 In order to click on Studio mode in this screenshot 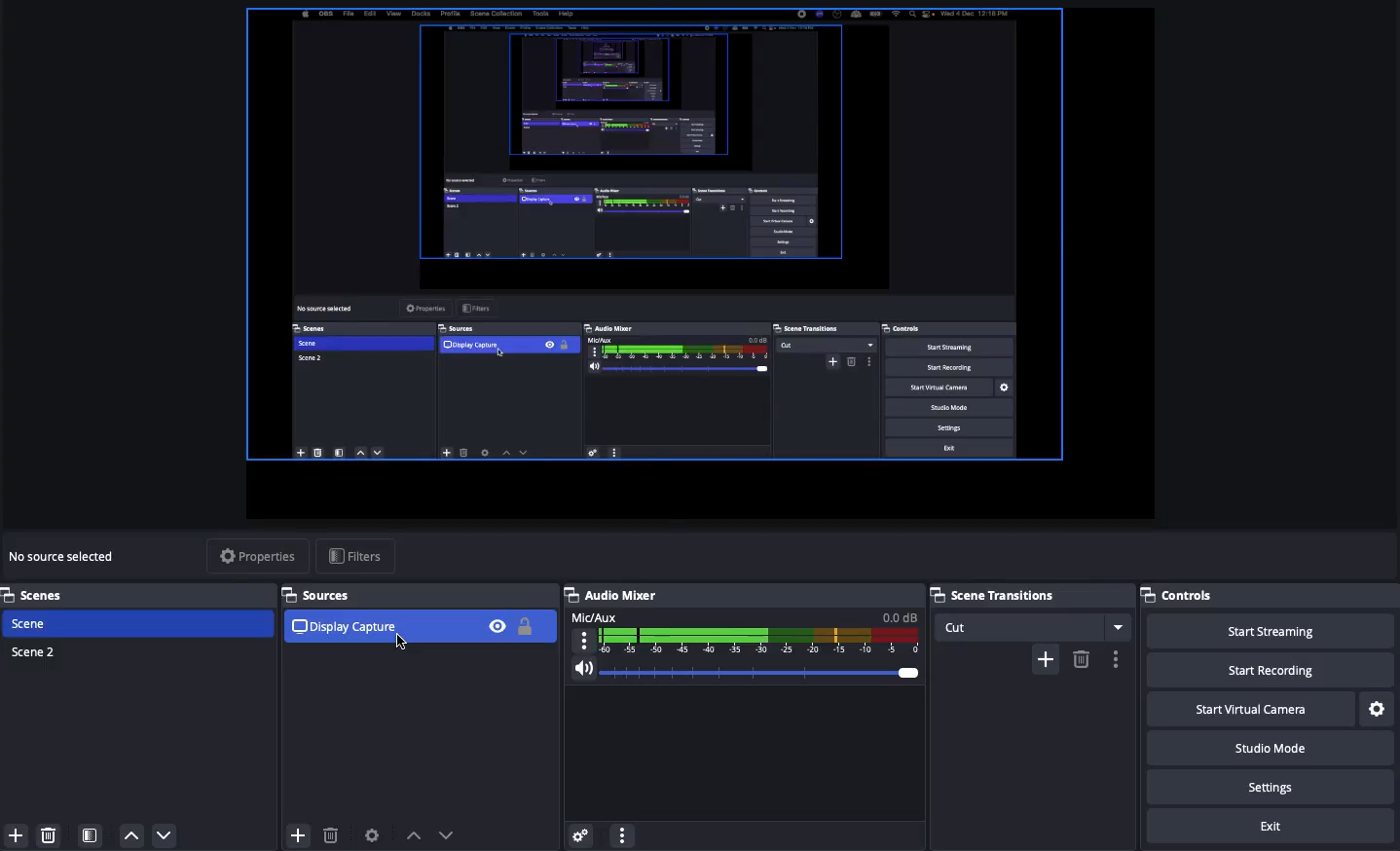, I will do `click(1267, 747)`.